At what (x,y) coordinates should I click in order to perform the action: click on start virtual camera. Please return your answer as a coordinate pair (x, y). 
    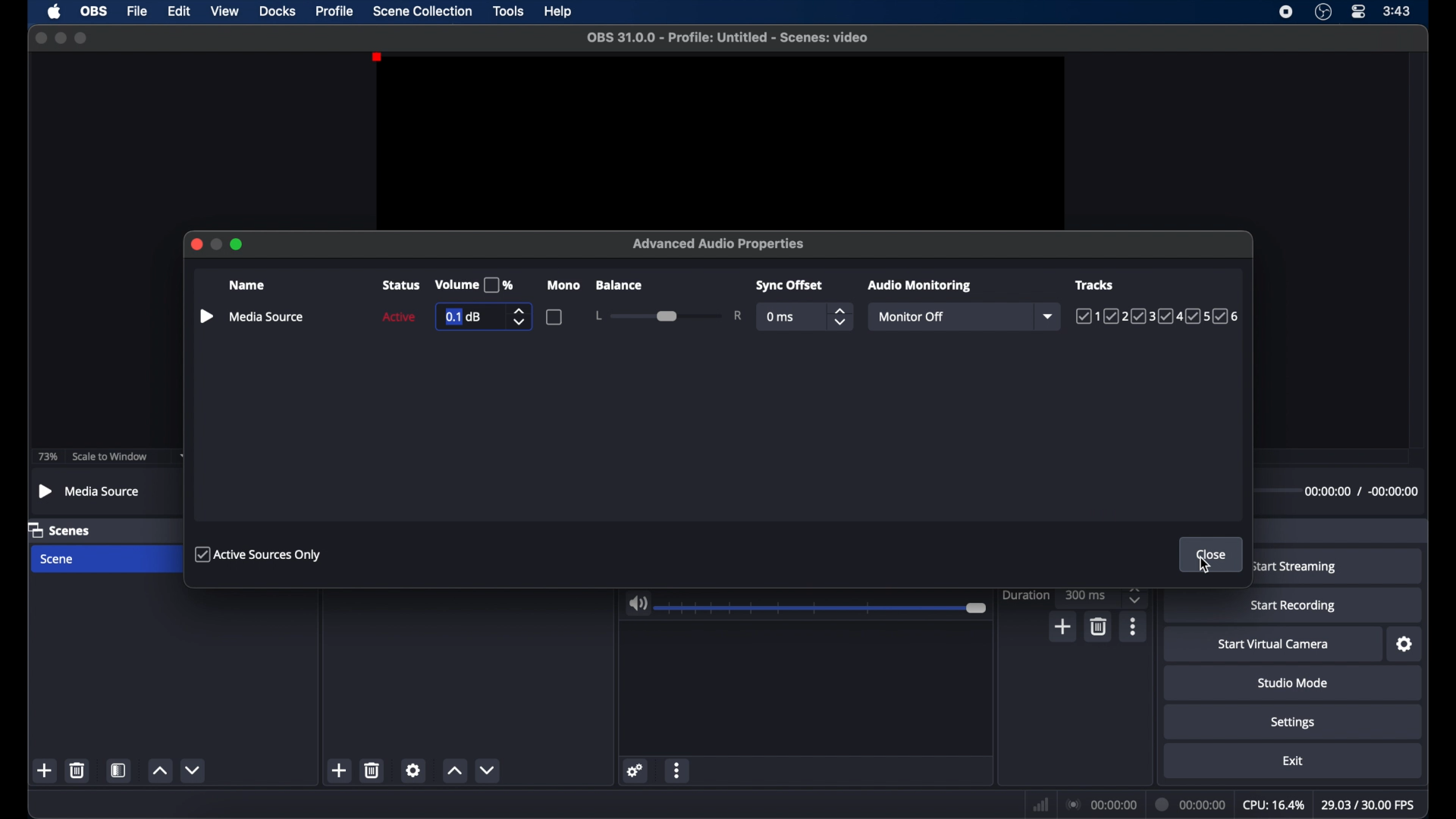
    Looking at the image, I should click on (1272, 645).